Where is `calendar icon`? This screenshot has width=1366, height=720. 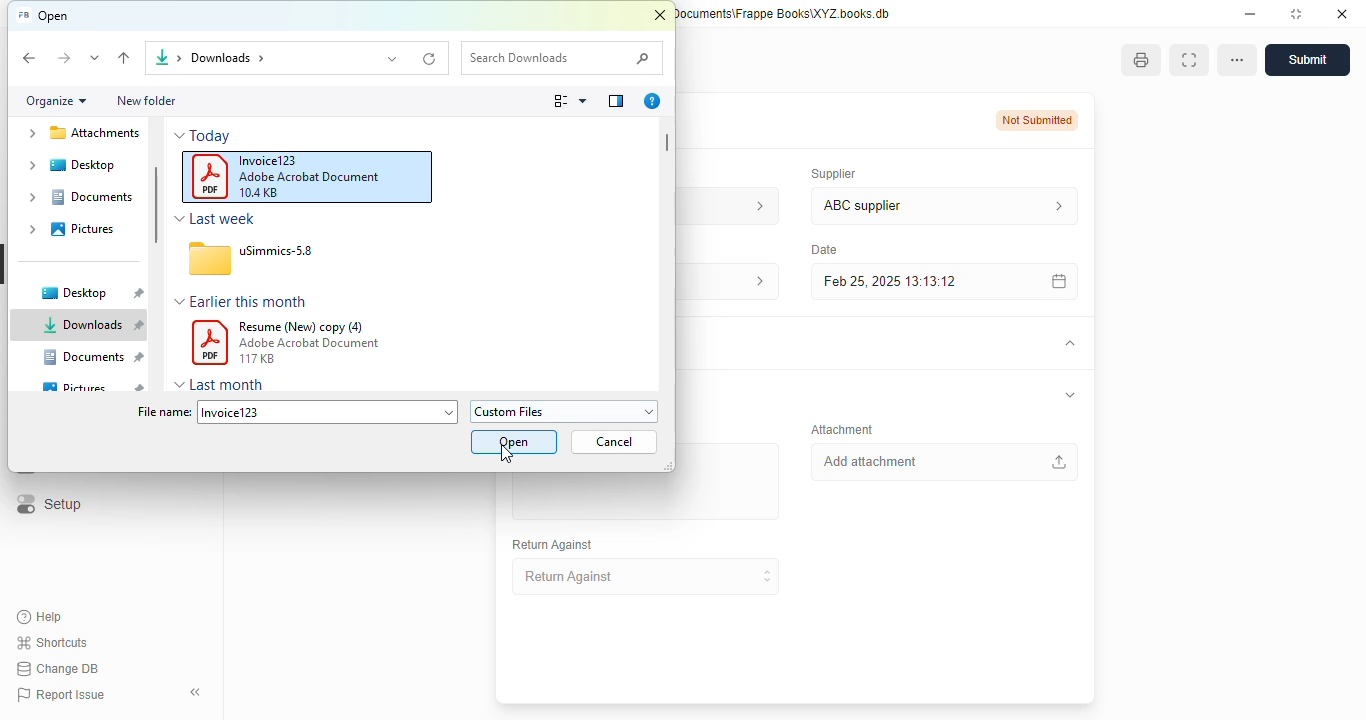
calendar icon is located at coordinates (1055, 281).